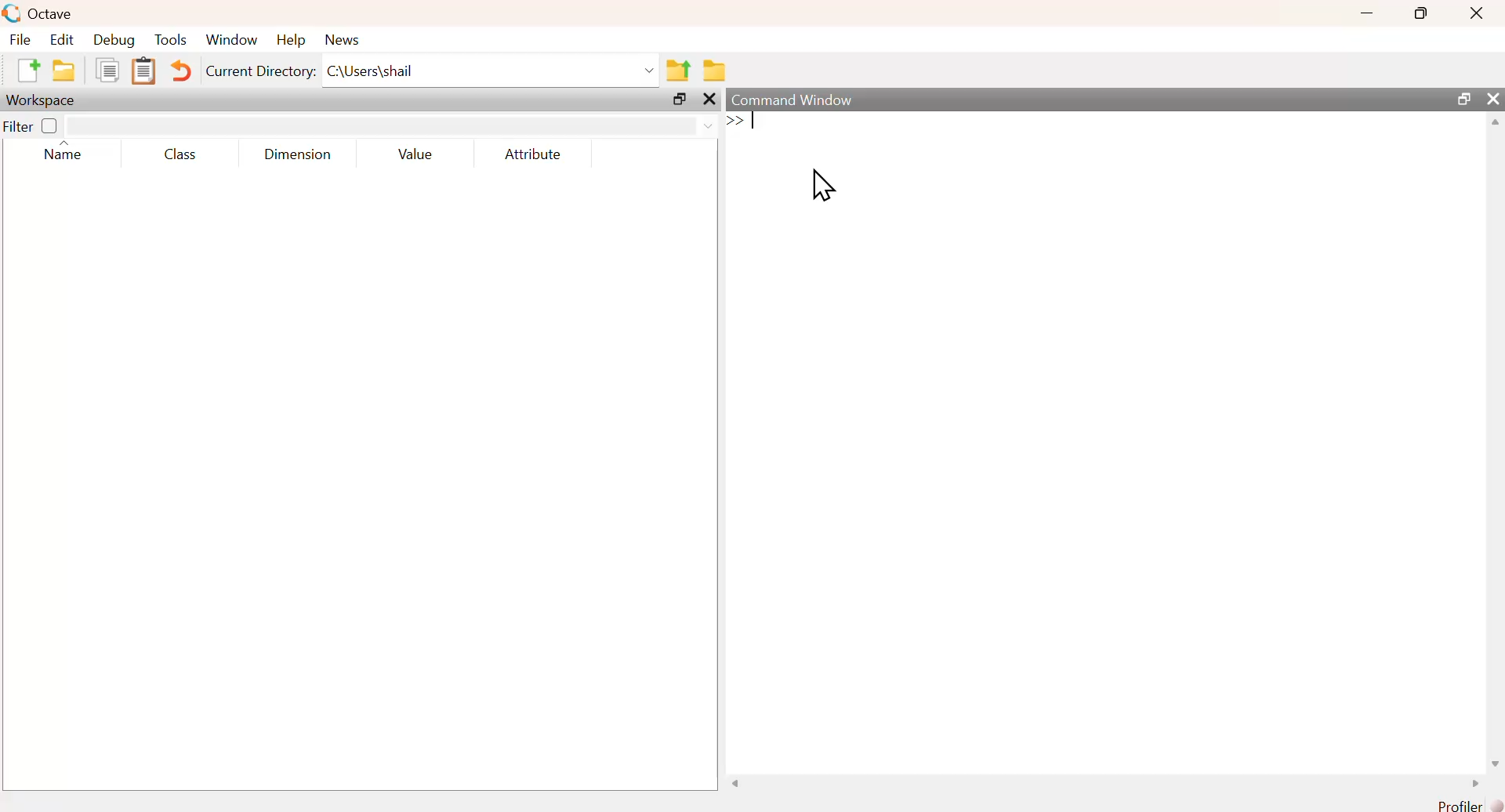  What do you see at coordinates (679, 71) in the screenshot?
I see `Previous Folder` at bounding box center [679, 71].